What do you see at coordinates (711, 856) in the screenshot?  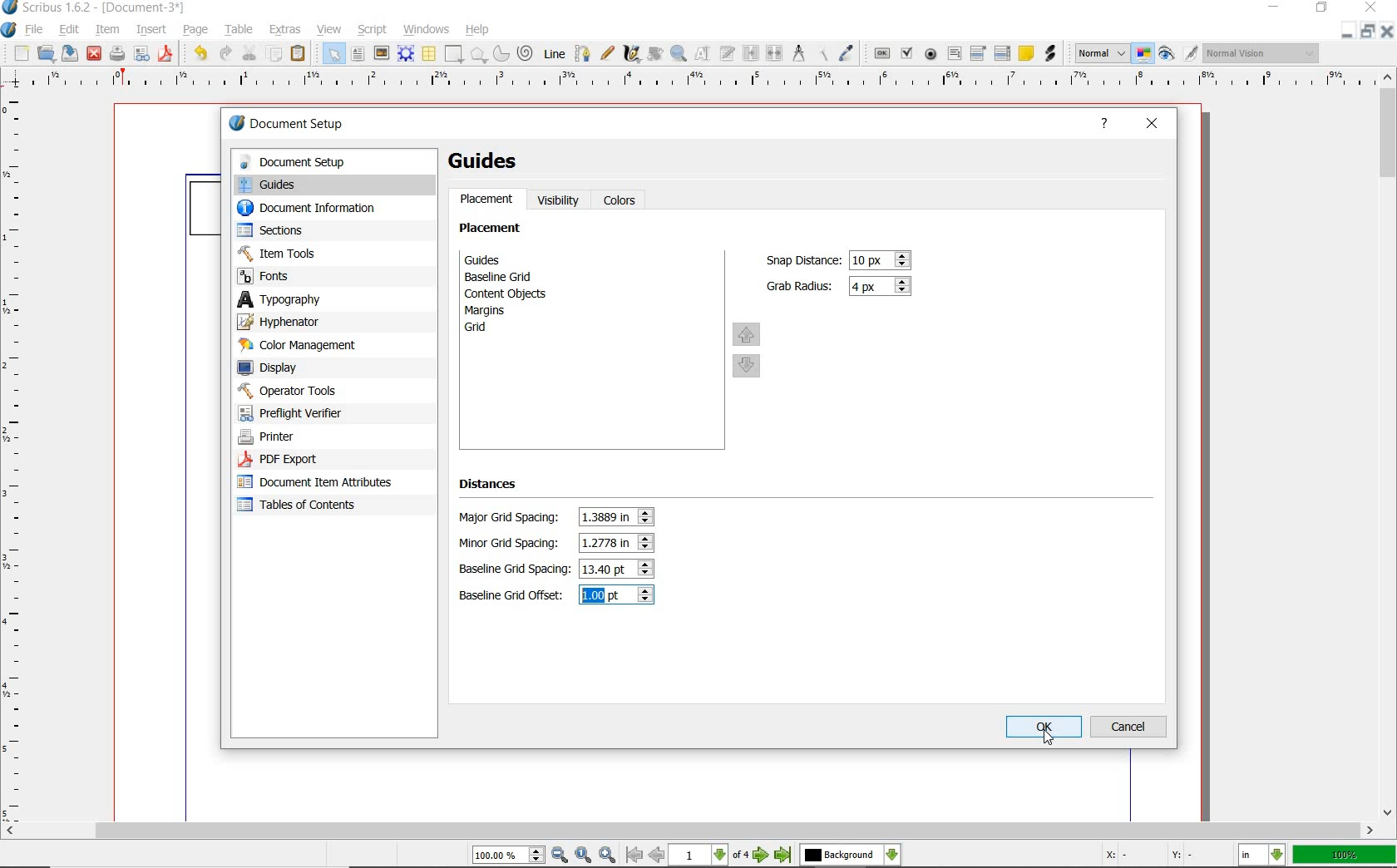 I see `select current page` at bounding box center [711, 856].